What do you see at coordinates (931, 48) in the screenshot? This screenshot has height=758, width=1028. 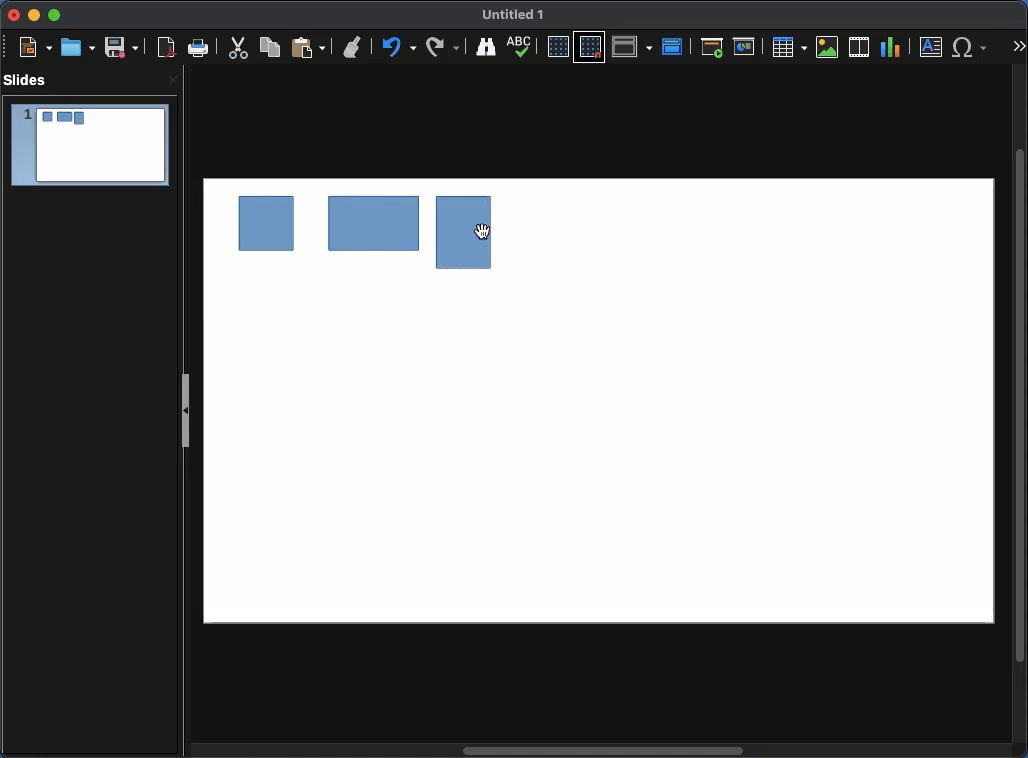 I see `Textbox` at bounding box center [931, 48].